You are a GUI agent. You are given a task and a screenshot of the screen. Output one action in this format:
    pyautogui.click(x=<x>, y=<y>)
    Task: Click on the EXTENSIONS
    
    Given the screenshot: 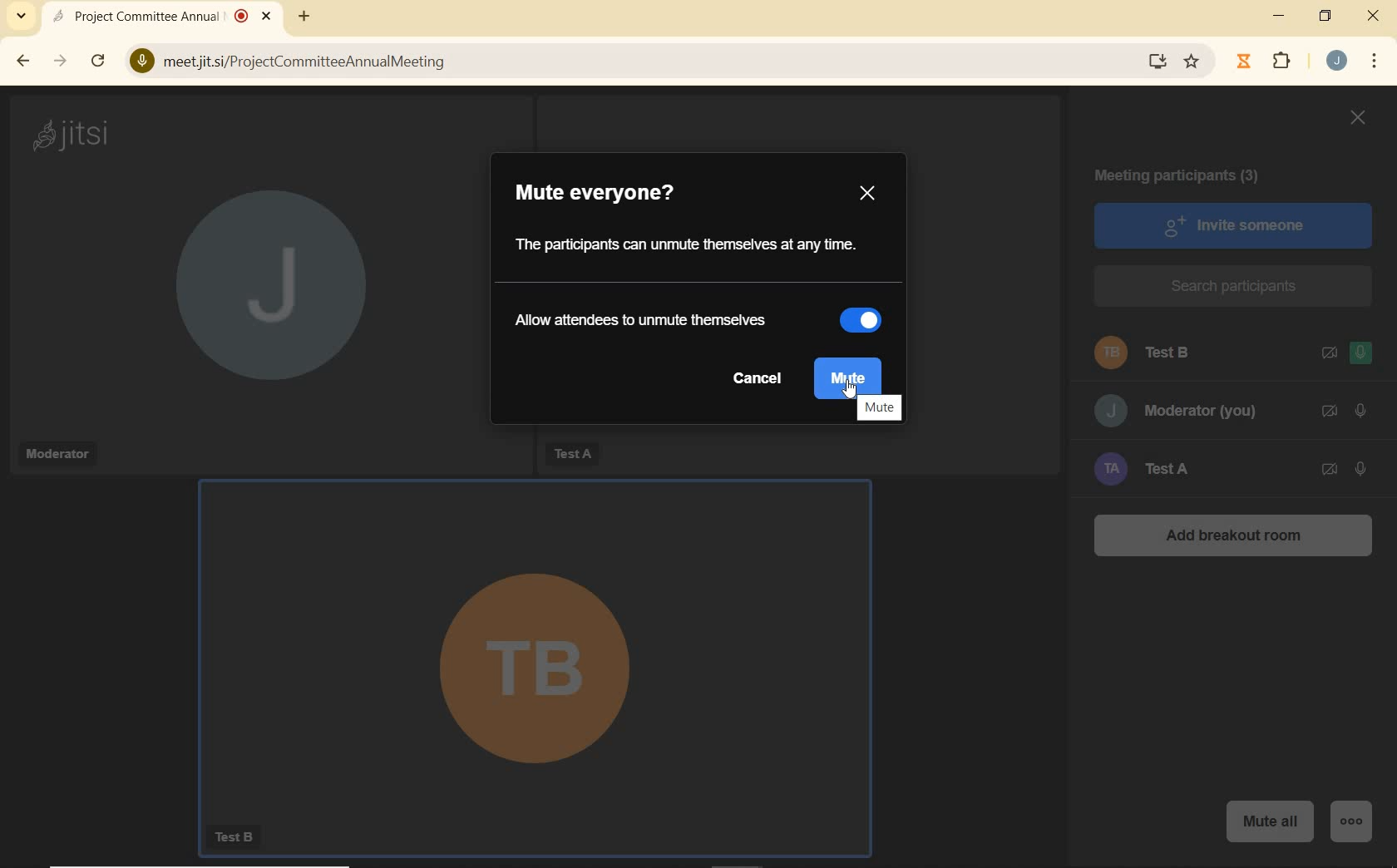 What is the action you would take?
    pyautogui.click(x=1286, y=64)
    